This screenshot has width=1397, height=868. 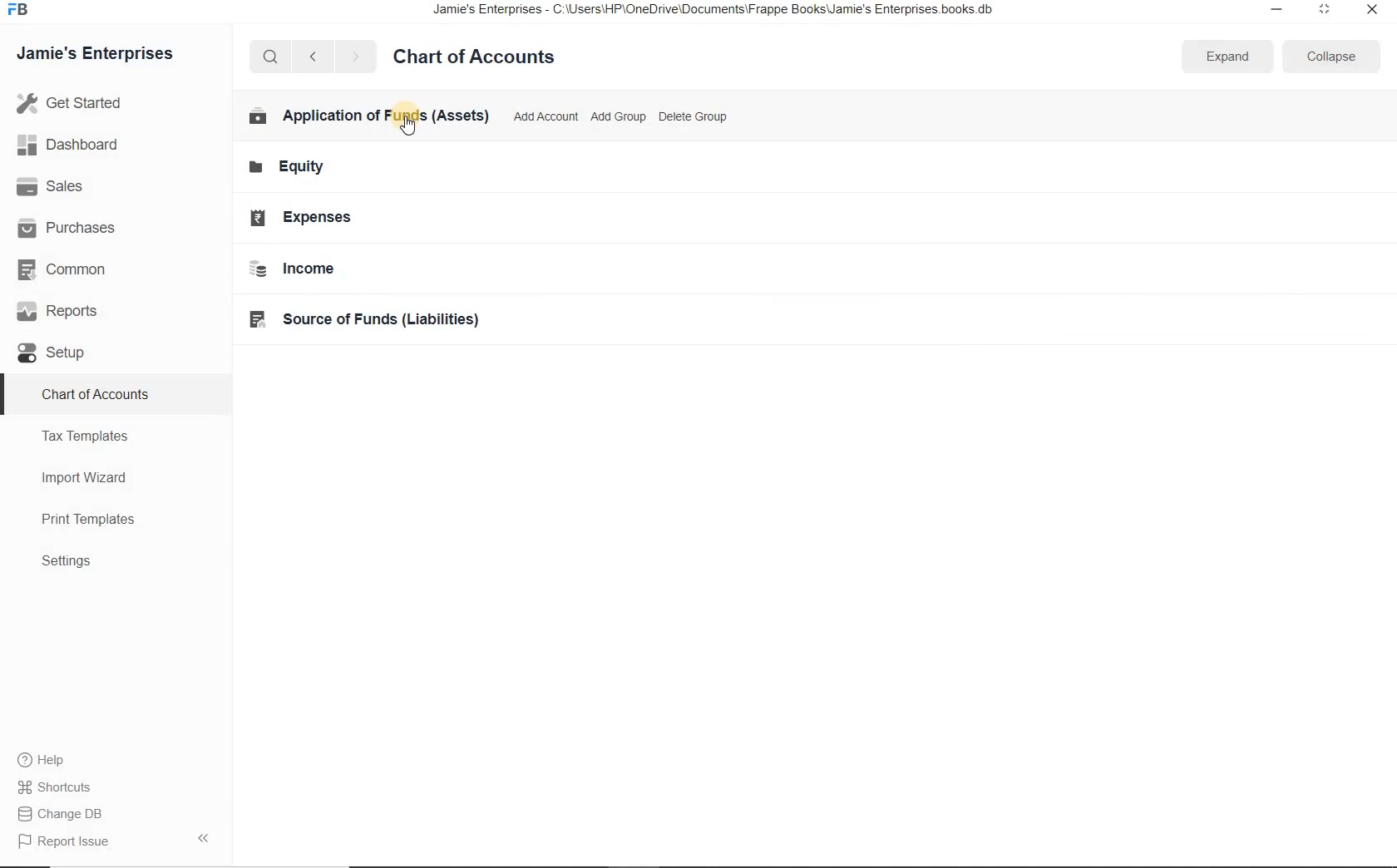 What do you see at coordinates (86, 146) in the screenshot?
I see `Dashboard` at bounding box center [86, 146].